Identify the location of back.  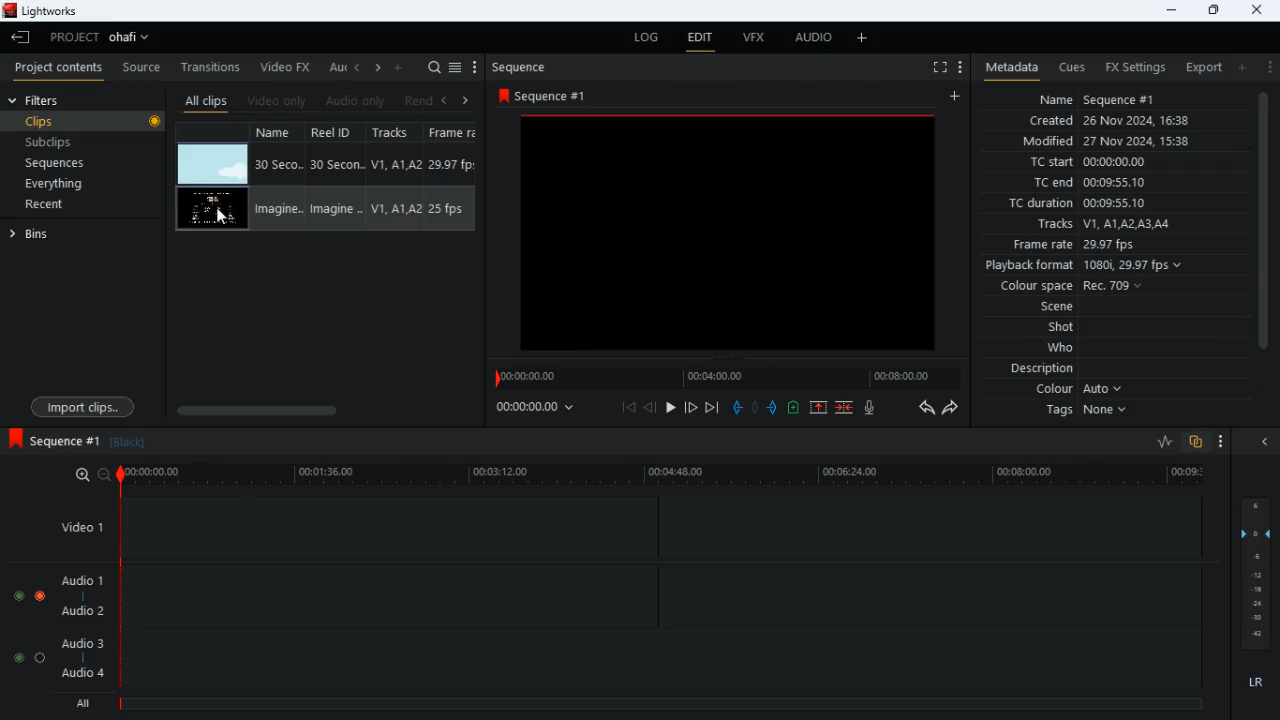
(650, 407).